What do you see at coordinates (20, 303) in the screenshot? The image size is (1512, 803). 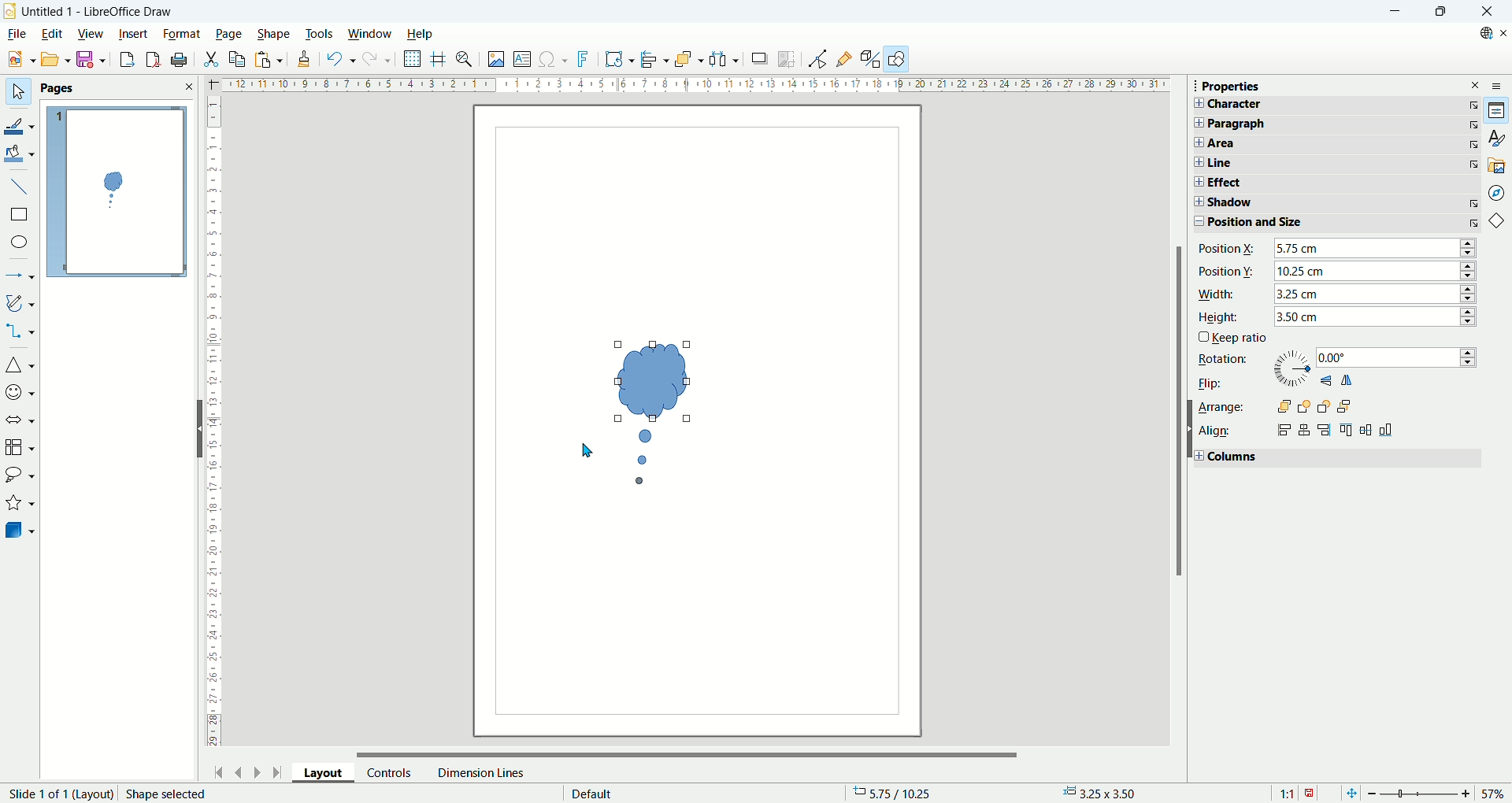 I see `curves and polygon` at bounding box center [20, 303].